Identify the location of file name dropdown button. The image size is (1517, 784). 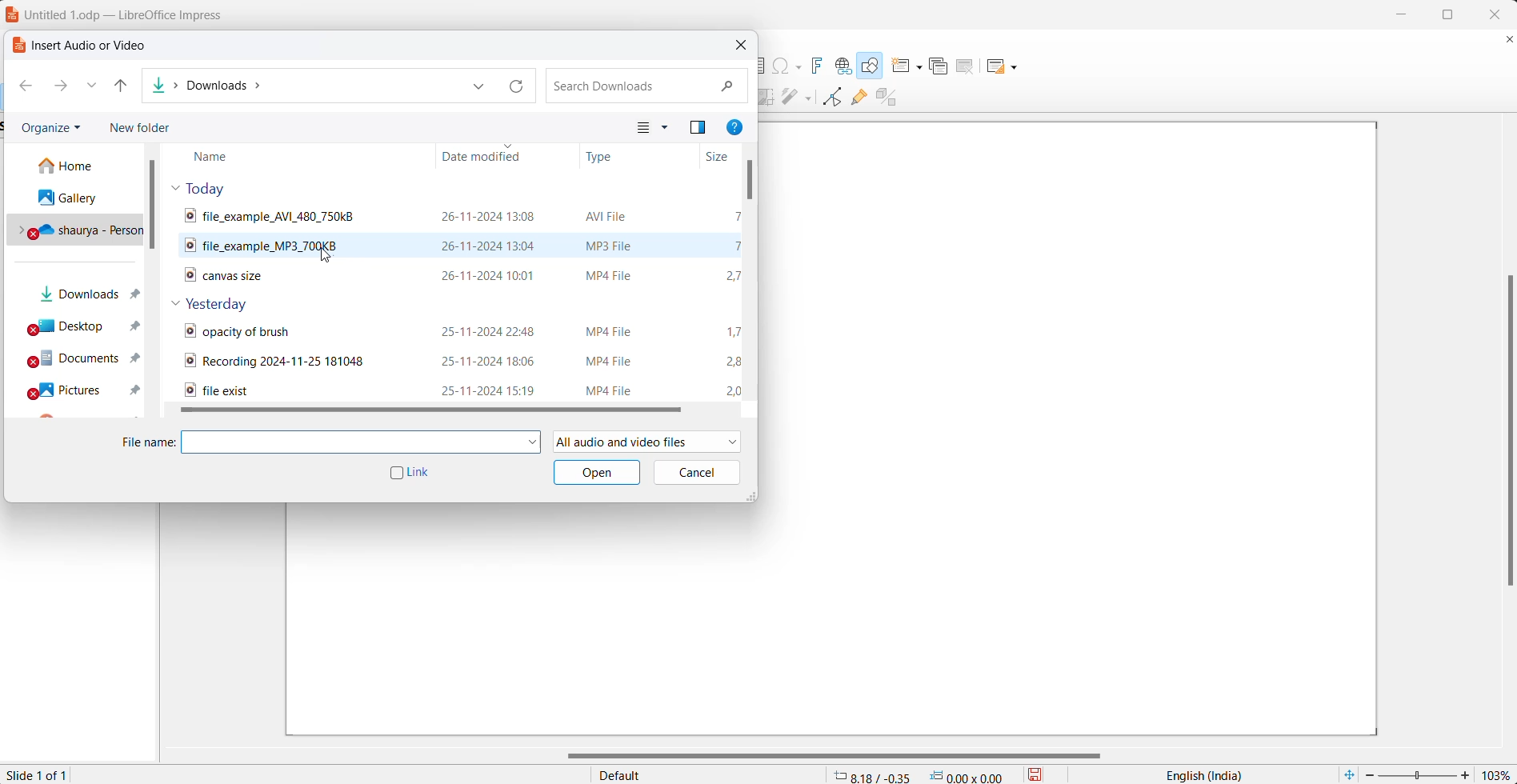
(534, 442).